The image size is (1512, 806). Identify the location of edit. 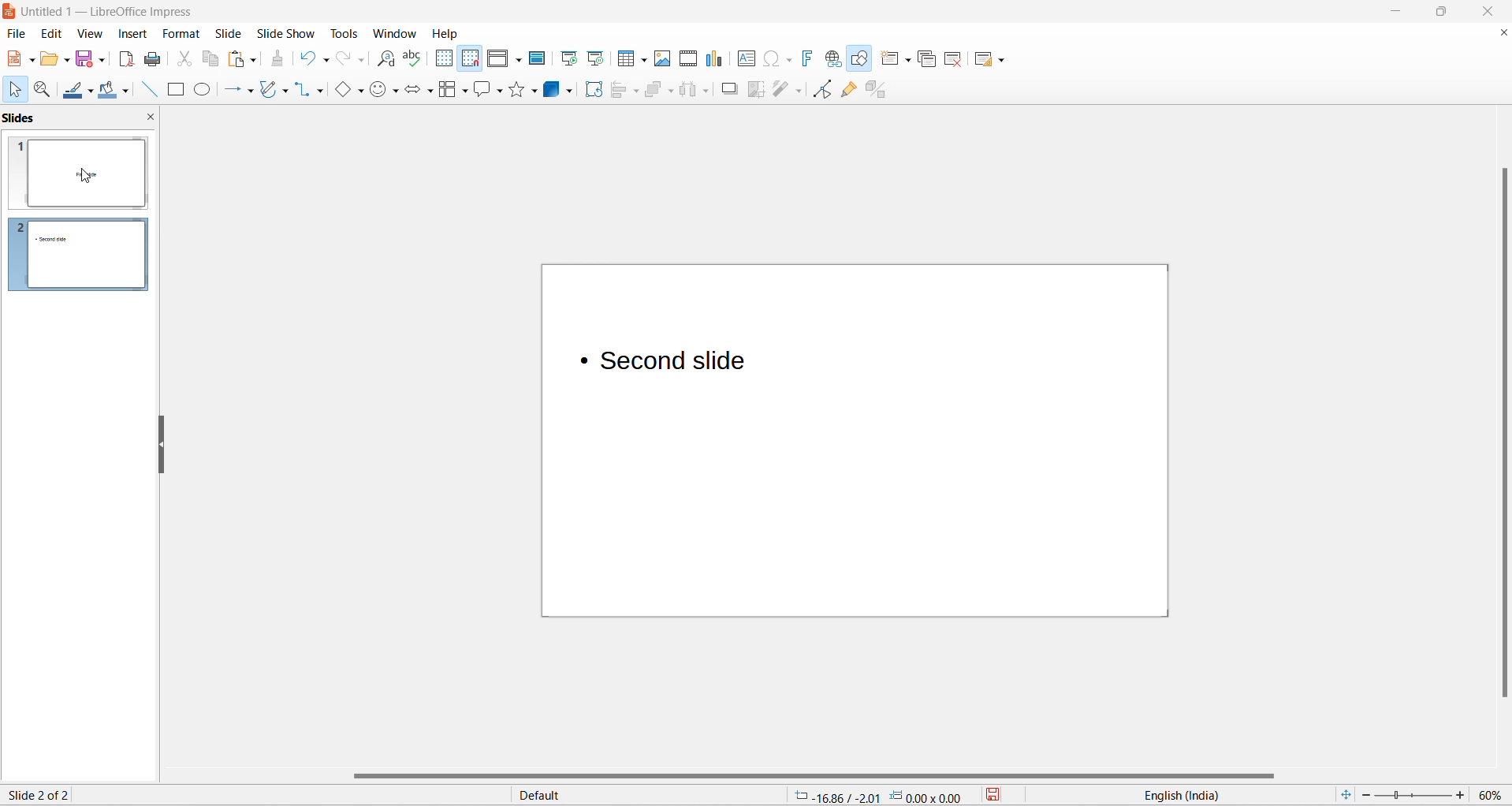
(54, 33).